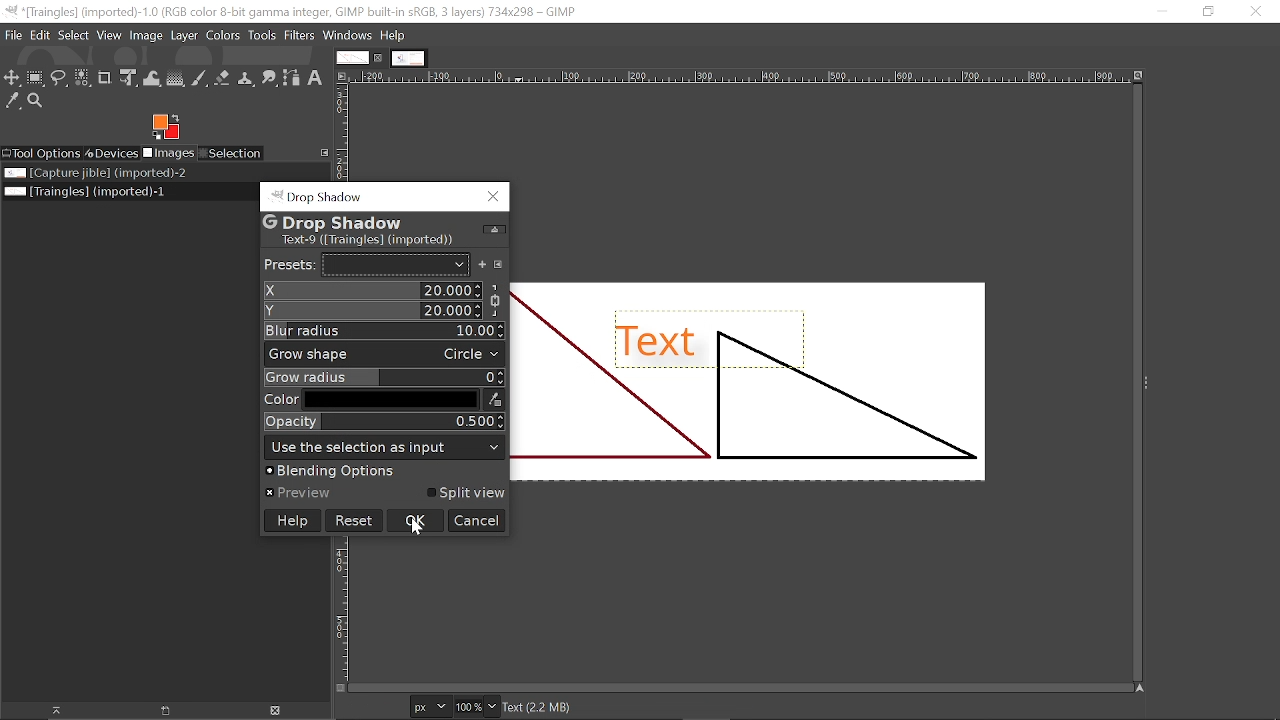 The height and width of the screenshot is (720, 1280). What do you see at coordinates (223, 80) in the screenshot?
I see `eraser tool` at bounding box center [223, 80].